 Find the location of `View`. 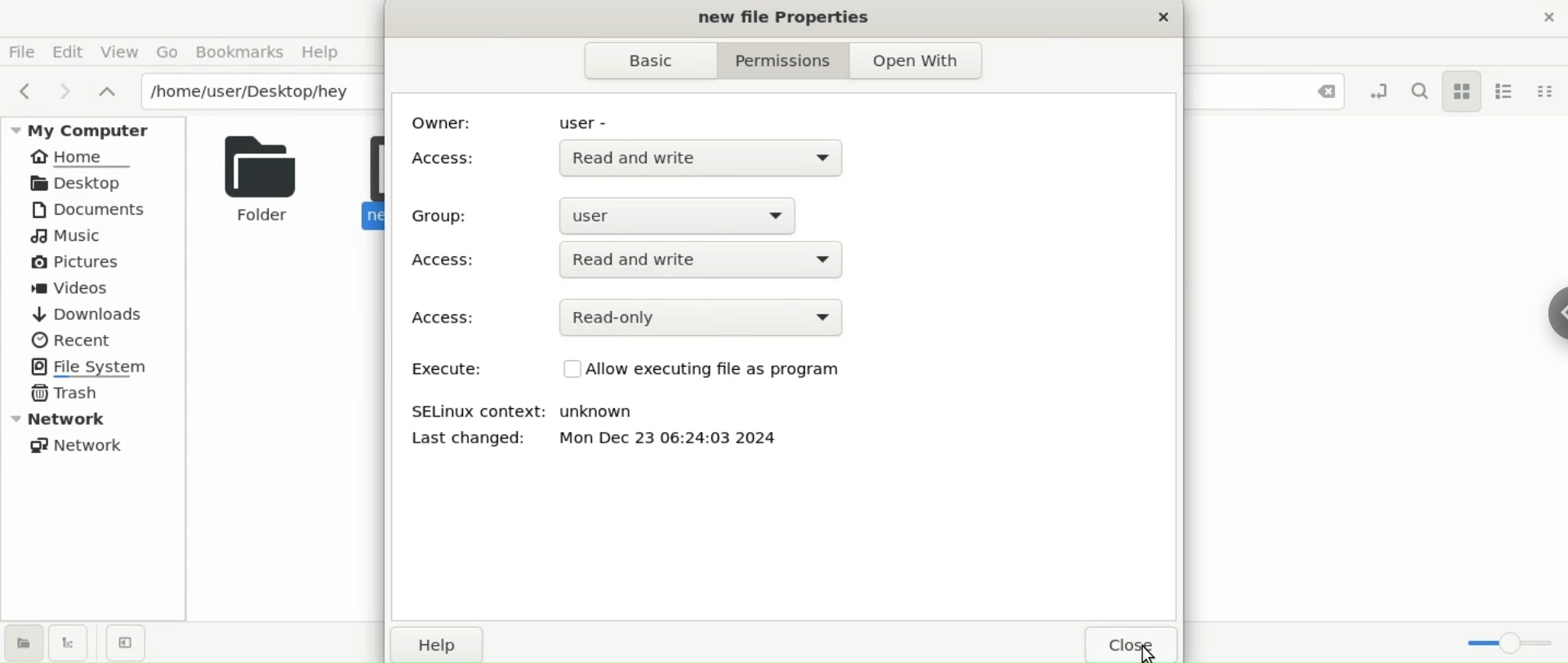

View is located at coordinates (122, 54).